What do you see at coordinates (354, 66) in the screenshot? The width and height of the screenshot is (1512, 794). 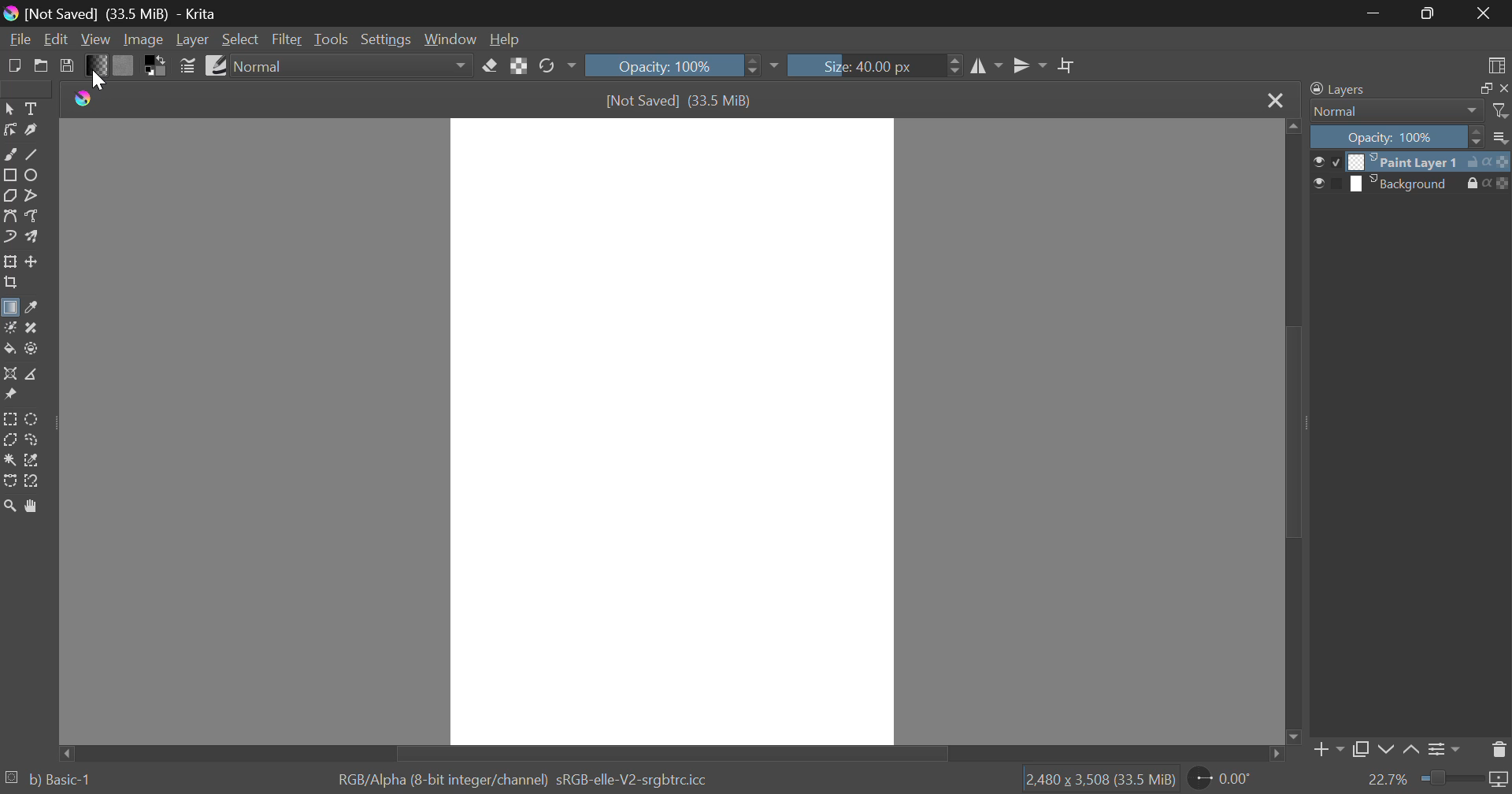 I see `Normal` at bounding box center [354, 66].